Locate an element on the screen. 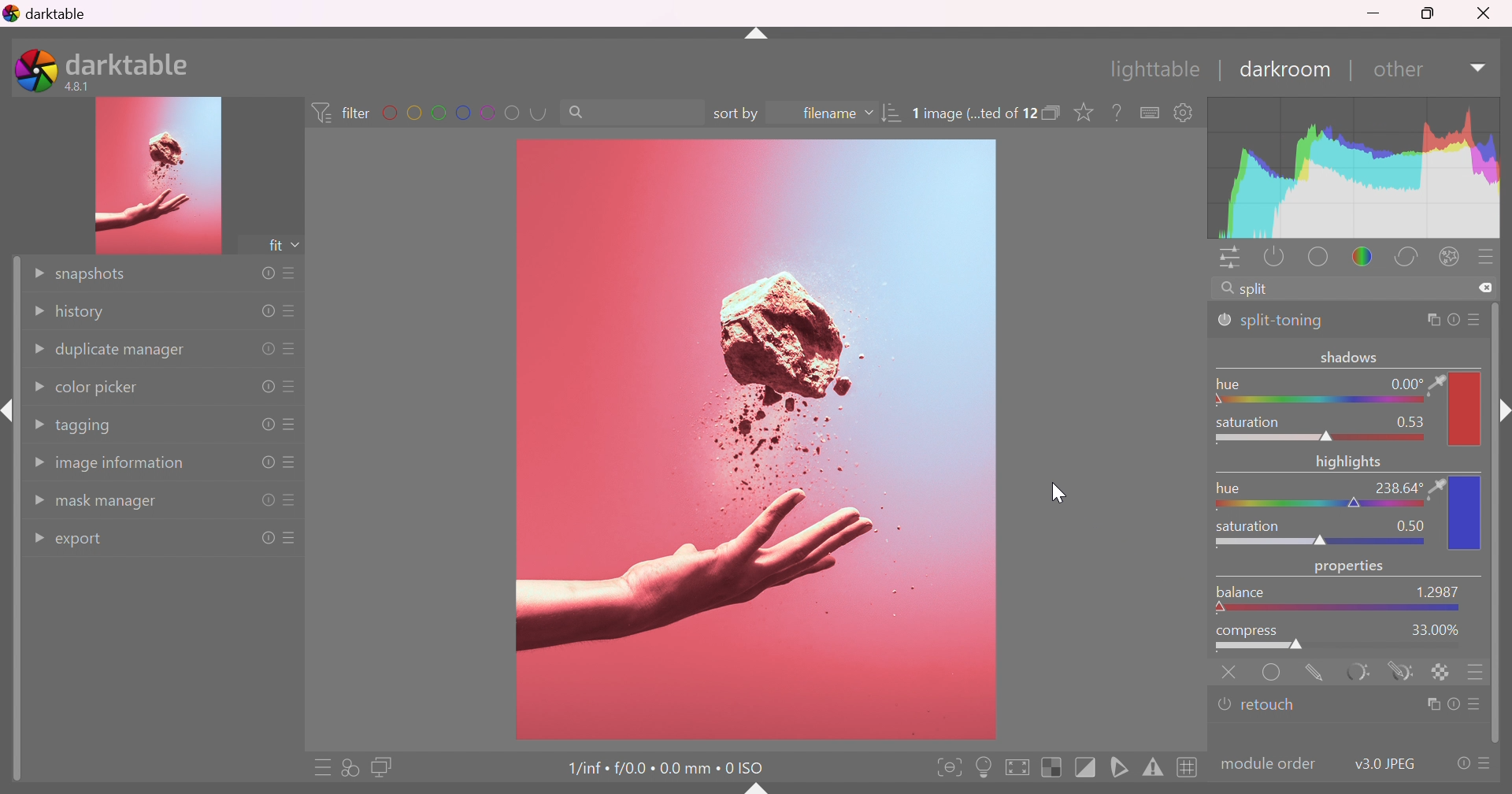 This screenshot has height=794, width=1512. compress is located at coordinates (1250, 633).